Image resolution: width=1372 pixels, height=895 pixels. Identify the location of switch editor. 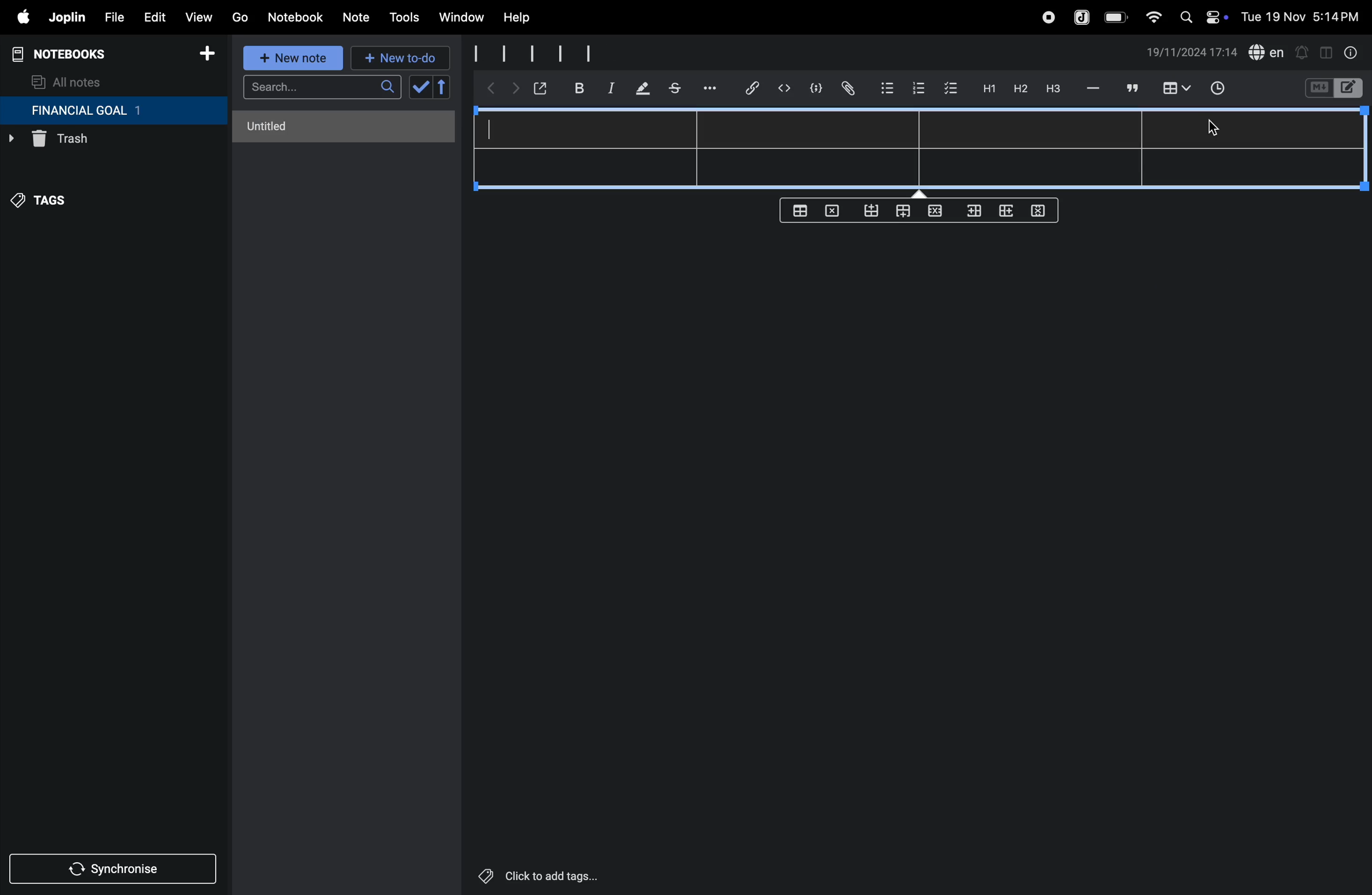
(1332, 88).